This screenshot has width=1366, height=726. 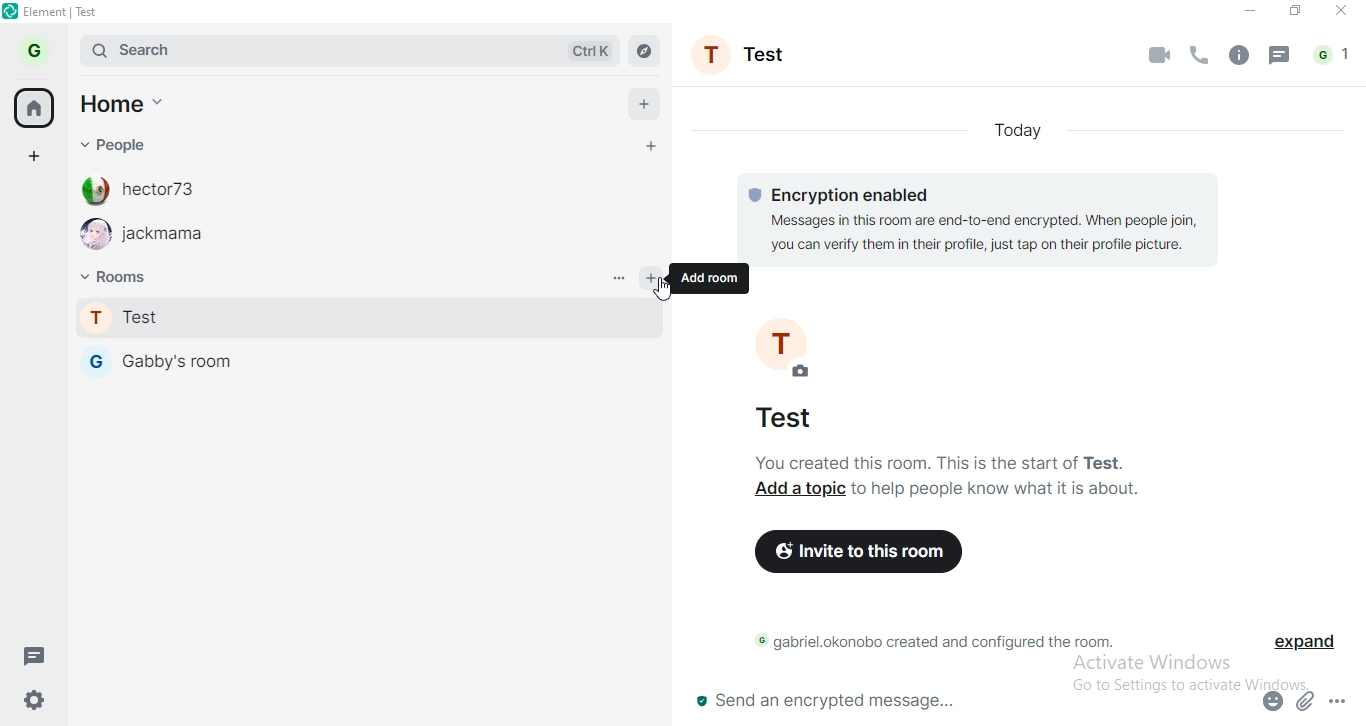 What do you see at coordinates (149, 235) in the screenshot?
I see `jackmama` at bounding box center [149, 235].